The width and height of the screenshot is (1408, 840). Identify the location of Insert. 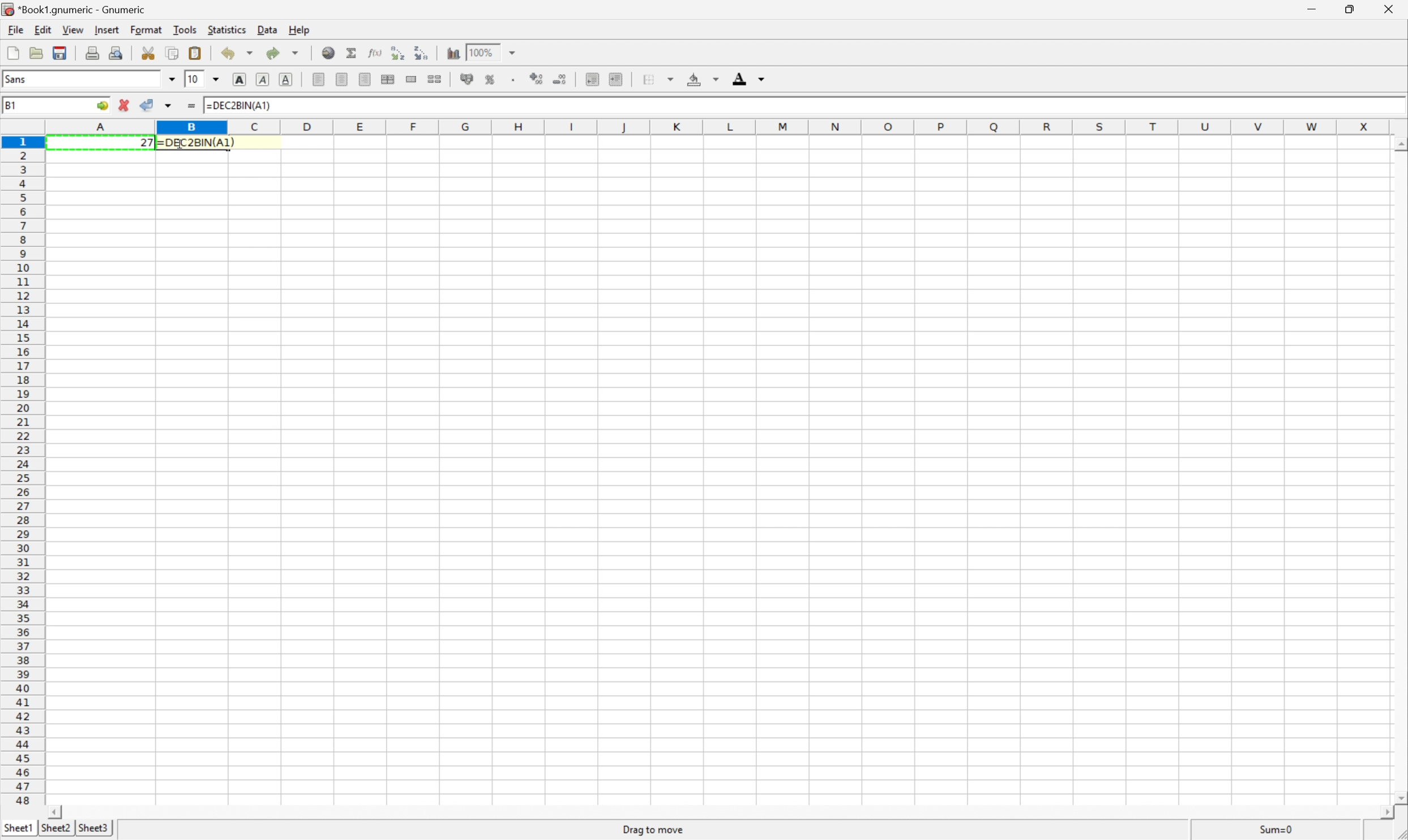
(106, 30).